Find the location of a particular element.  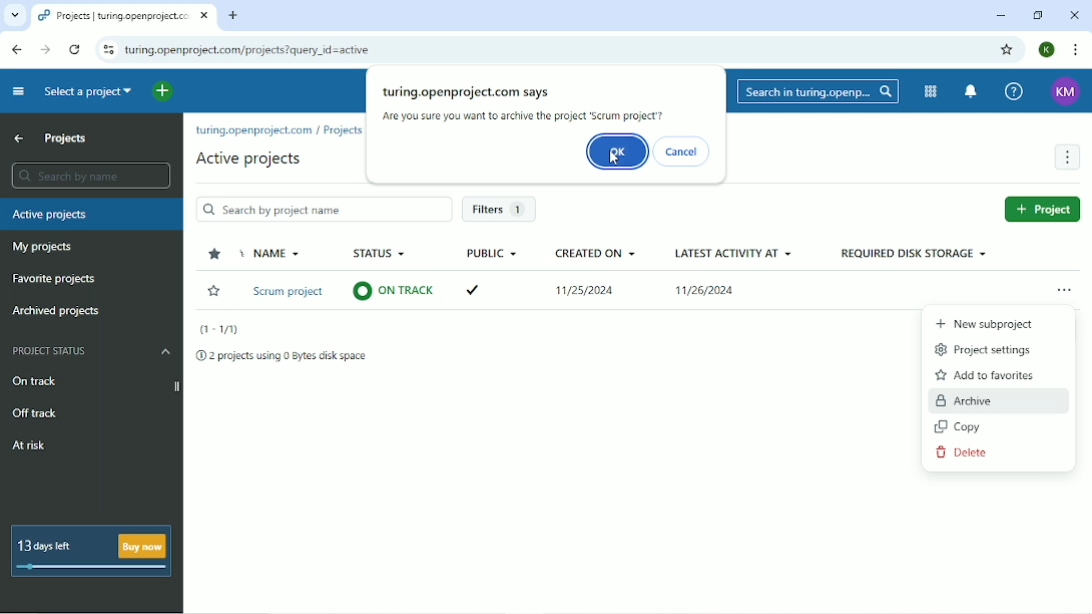

Up is located at coordinates (18, 139).